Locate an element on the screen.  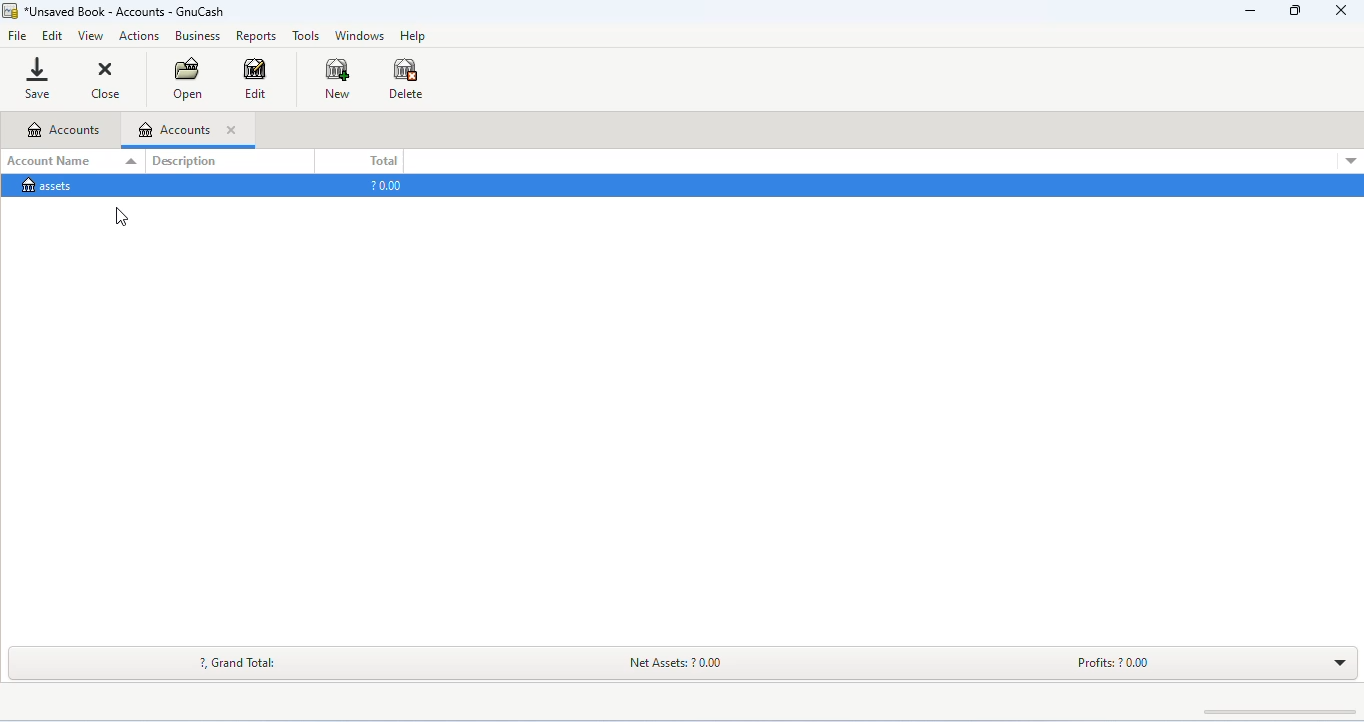
close is located at coordinates (107, 82).